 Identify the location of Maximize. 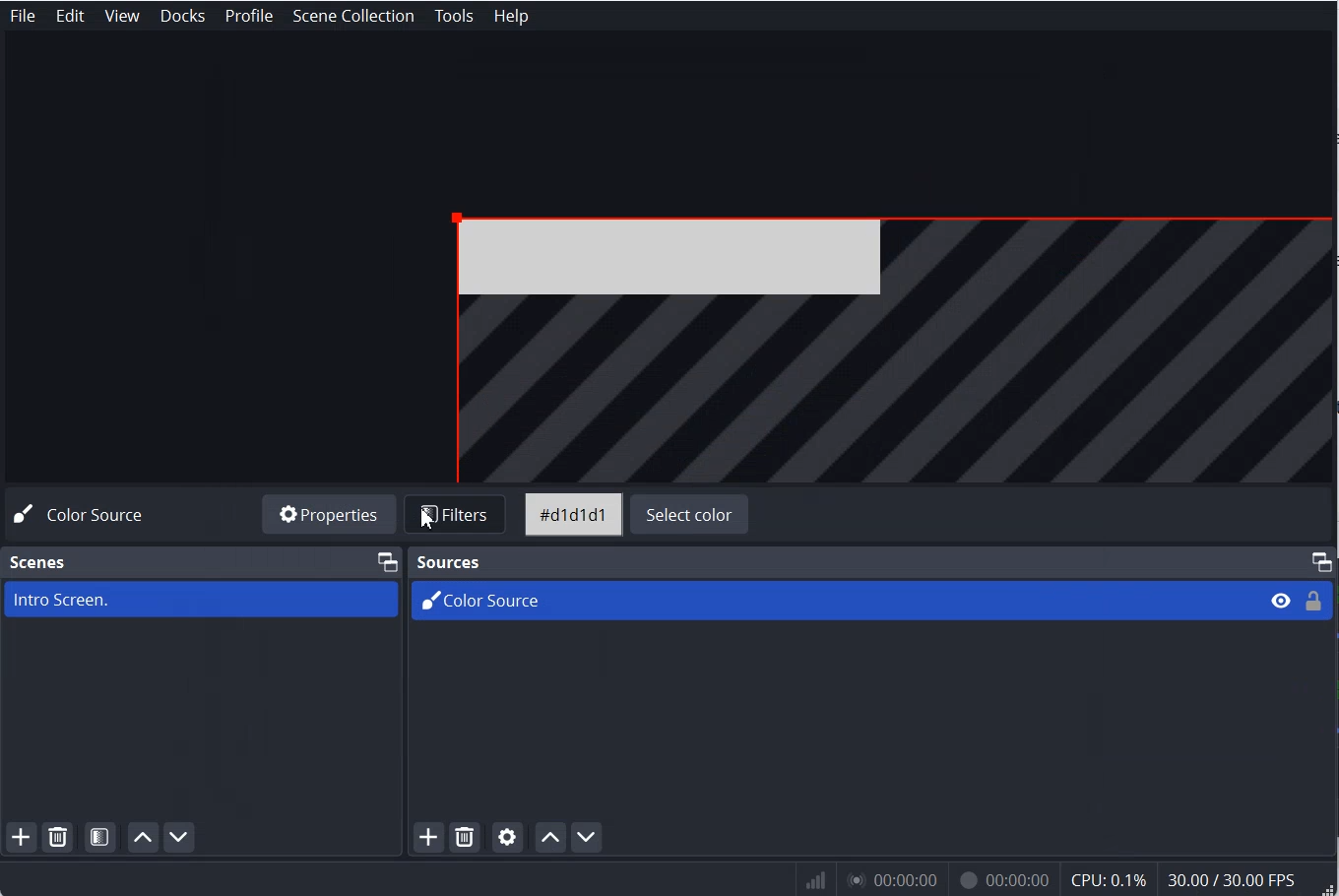
(1321, 561).